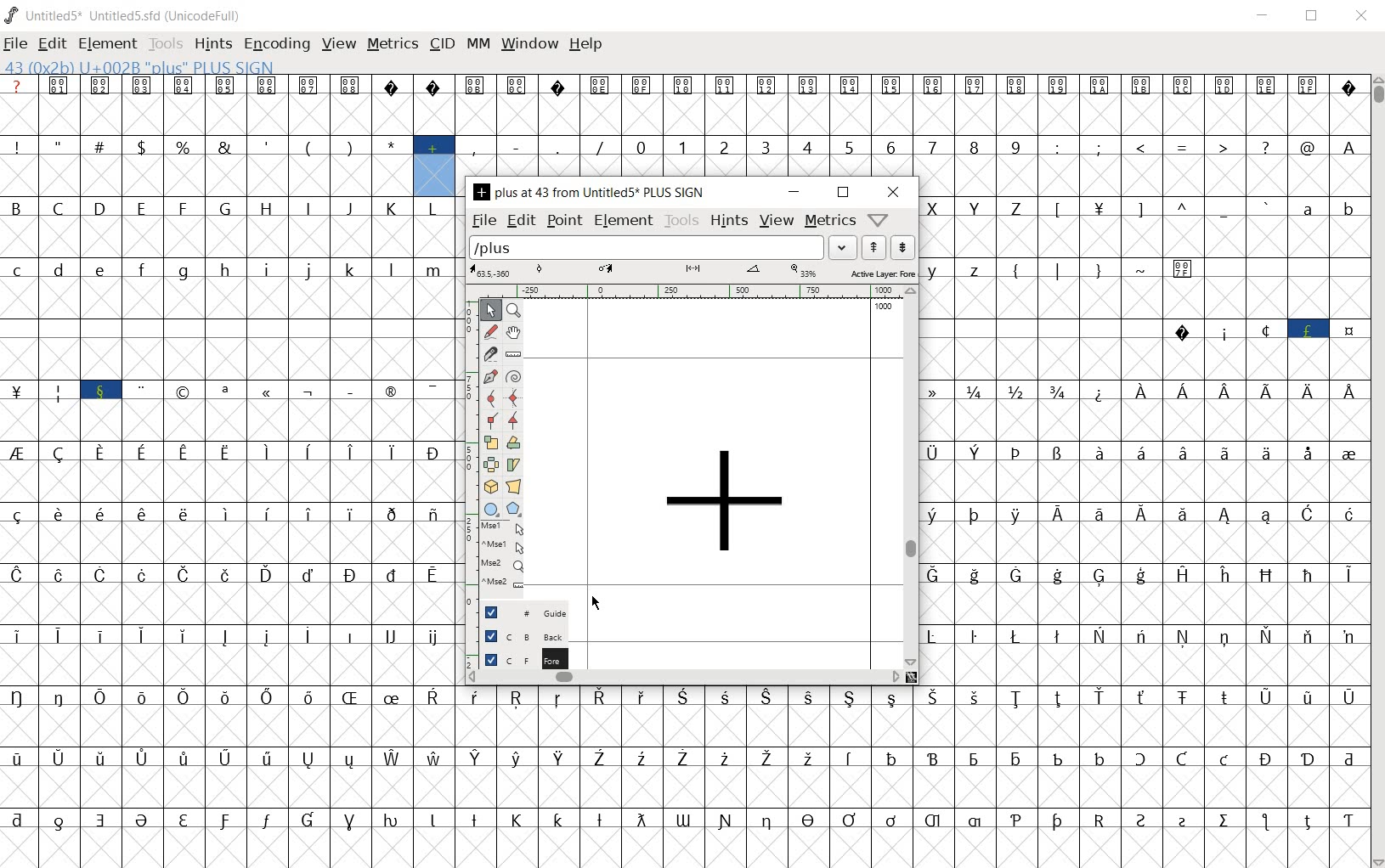  Describe the element at coordinates (512, 420) in the screenshot. I see `Add a corner point` at that location.